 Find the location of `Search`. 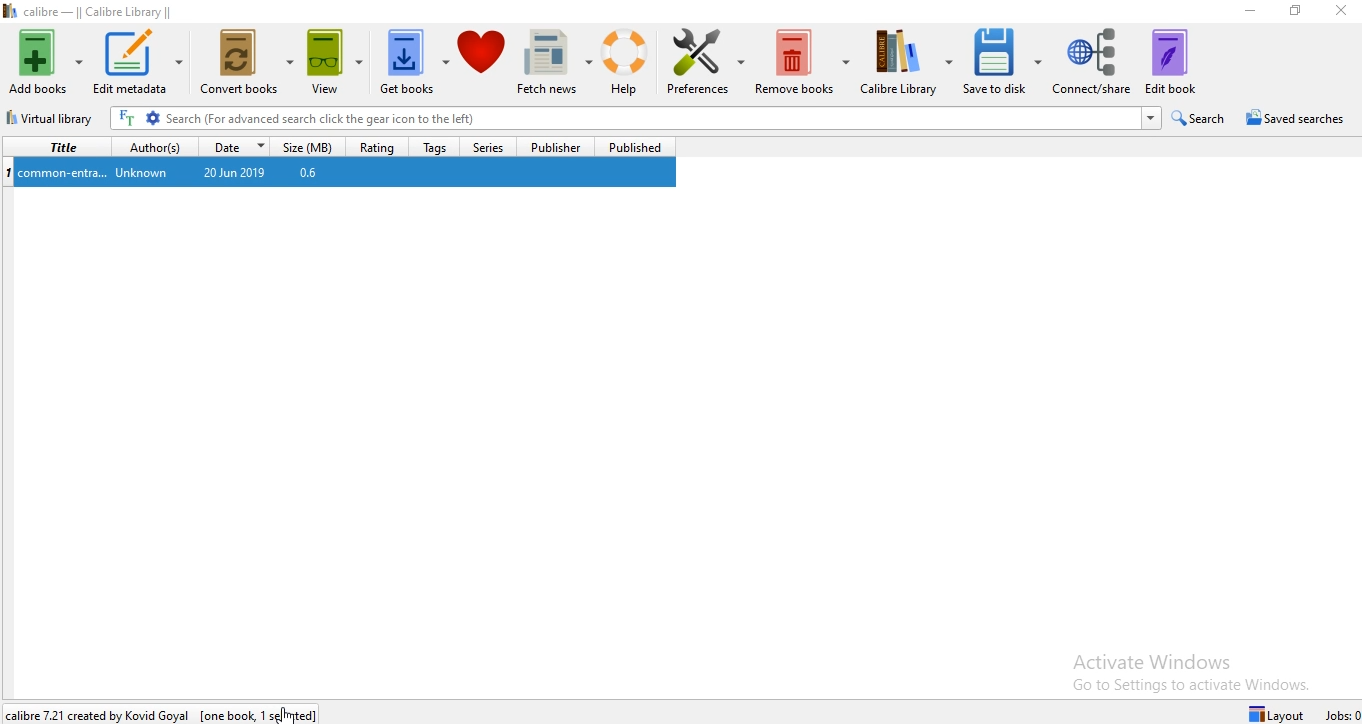

Search is located at coordinates (1200, 119).